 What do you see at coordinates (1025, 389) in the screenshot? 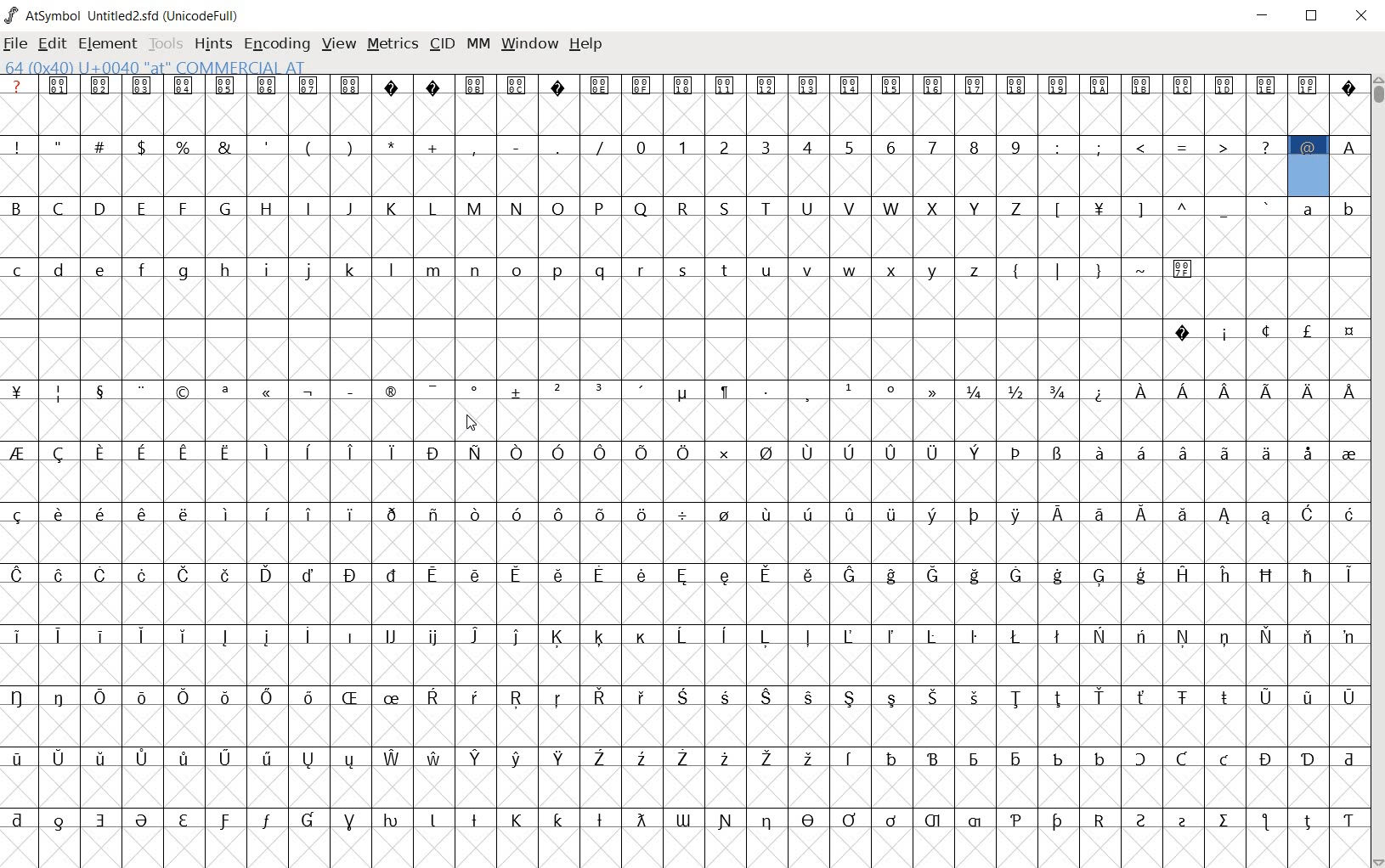
I see `fractions` at bounding box center [1025, 389].